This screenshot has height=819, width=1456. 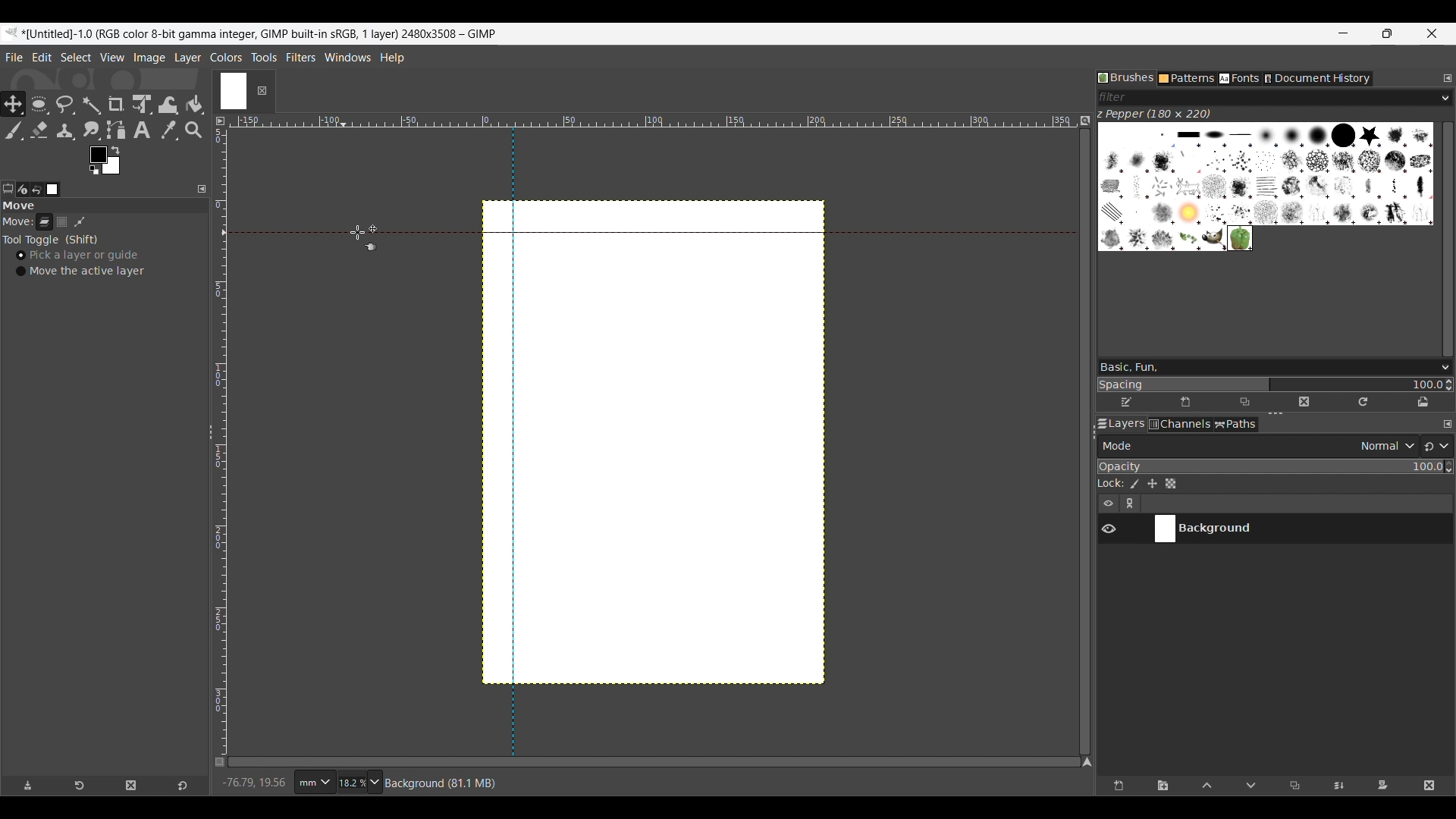 I want to click on Current brush options, so click(x=1266, y=187).